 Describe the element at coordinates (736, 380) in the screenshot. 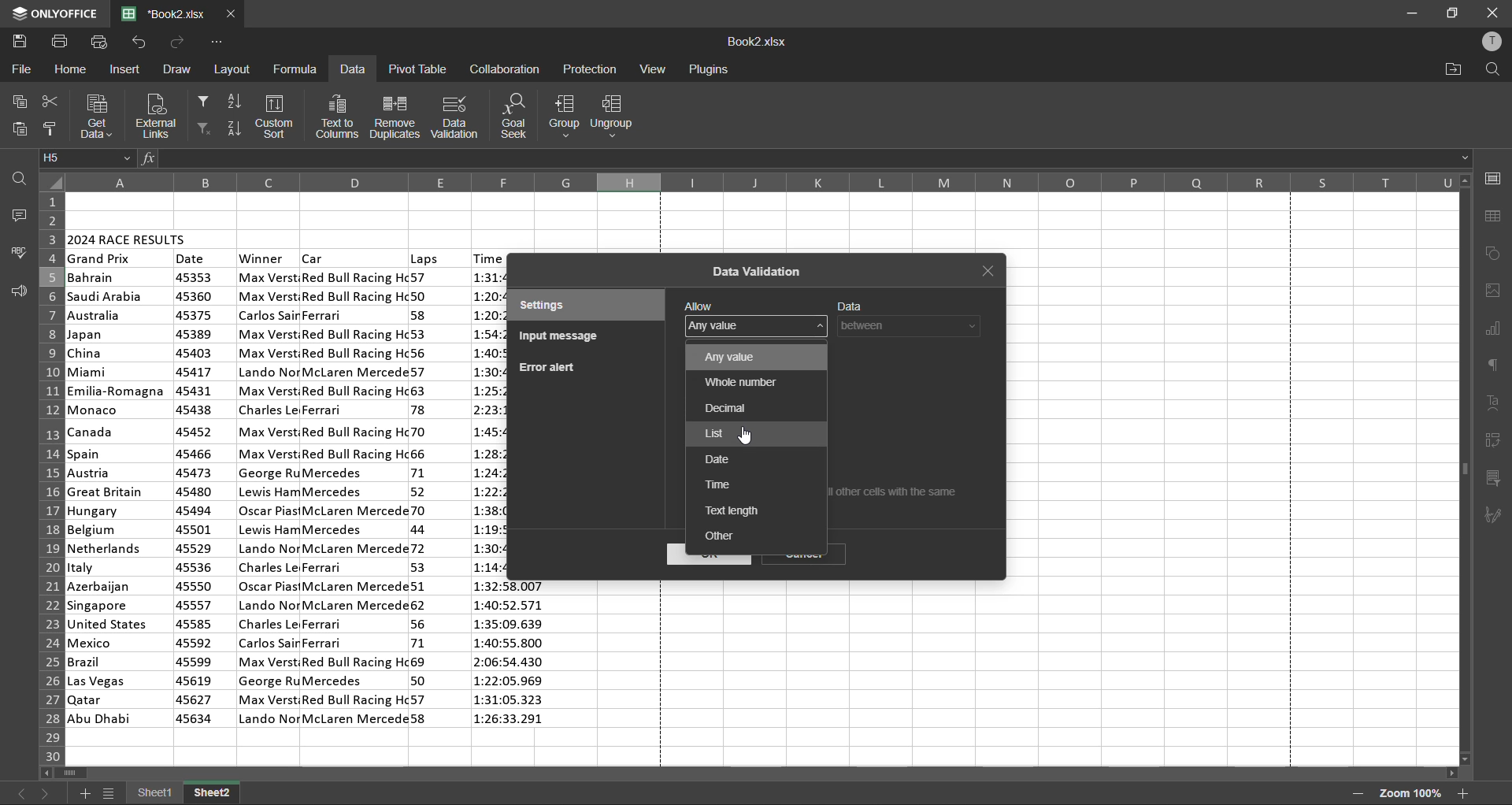

I see `whole number` at that location.